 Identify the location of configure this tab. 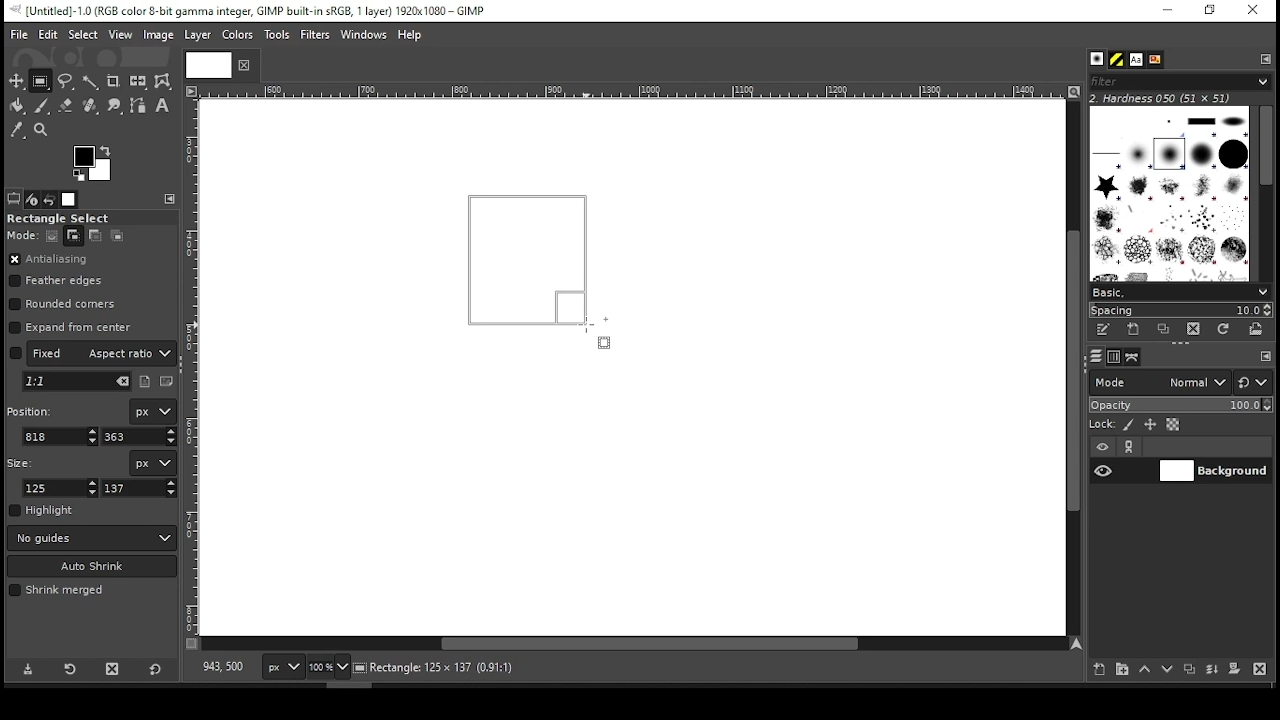
(1267, 58).